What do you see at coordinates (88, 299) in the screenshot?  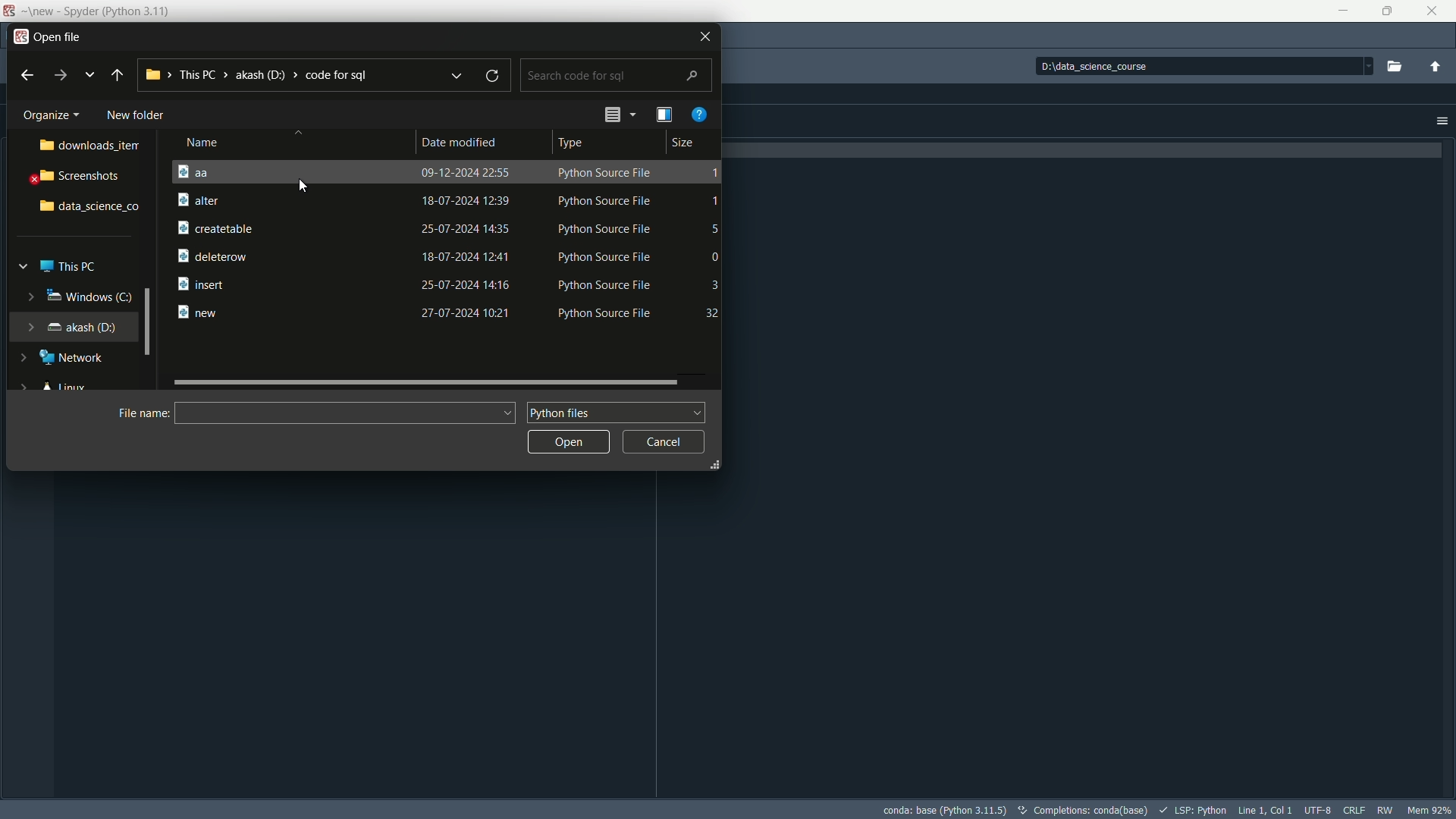 I see `windows(c:)` at bounding box center [88, 299].